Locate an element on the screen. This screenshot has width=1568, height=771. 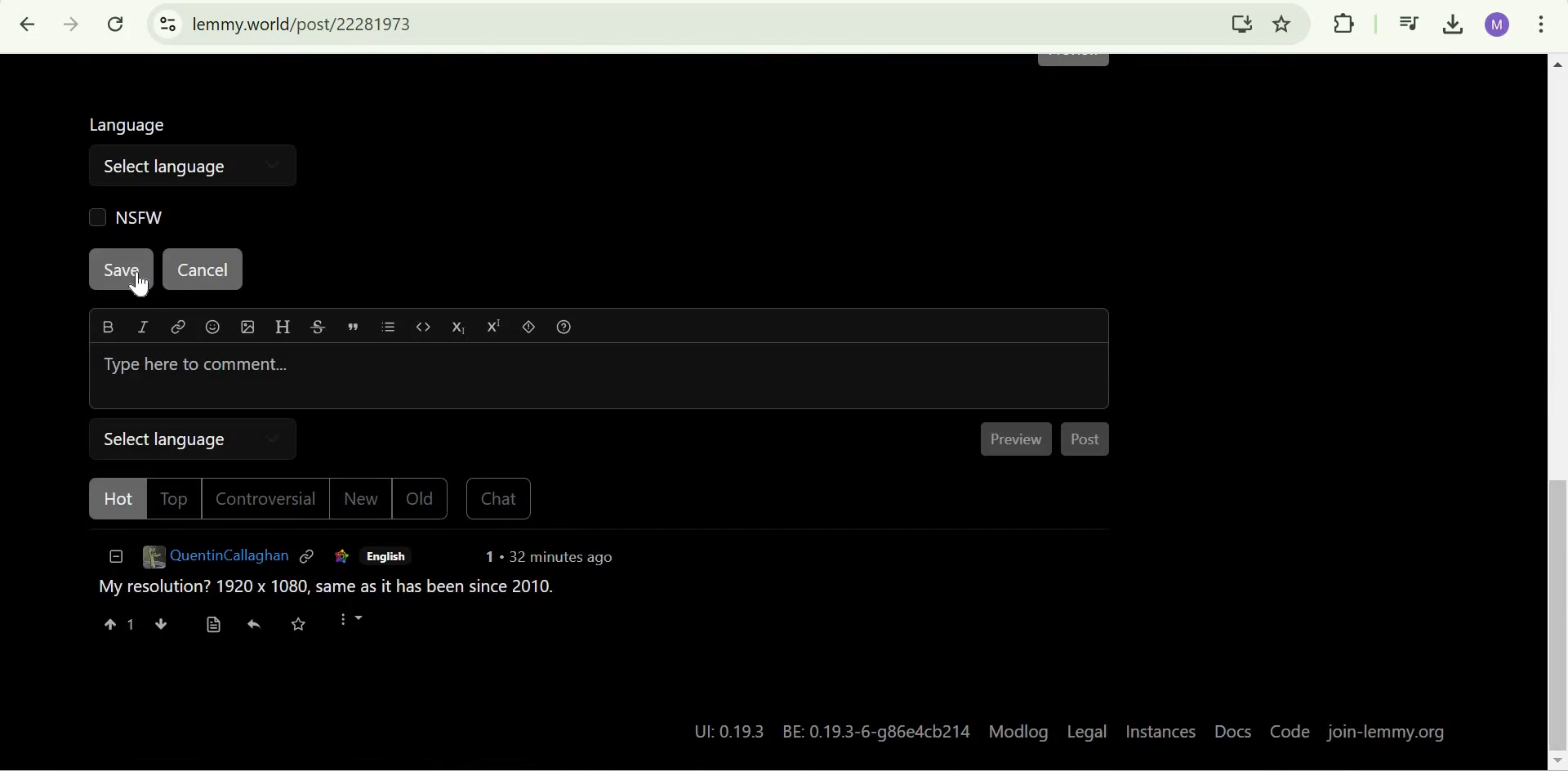
QuentinCallaghan is located at coordinates (214, 560).